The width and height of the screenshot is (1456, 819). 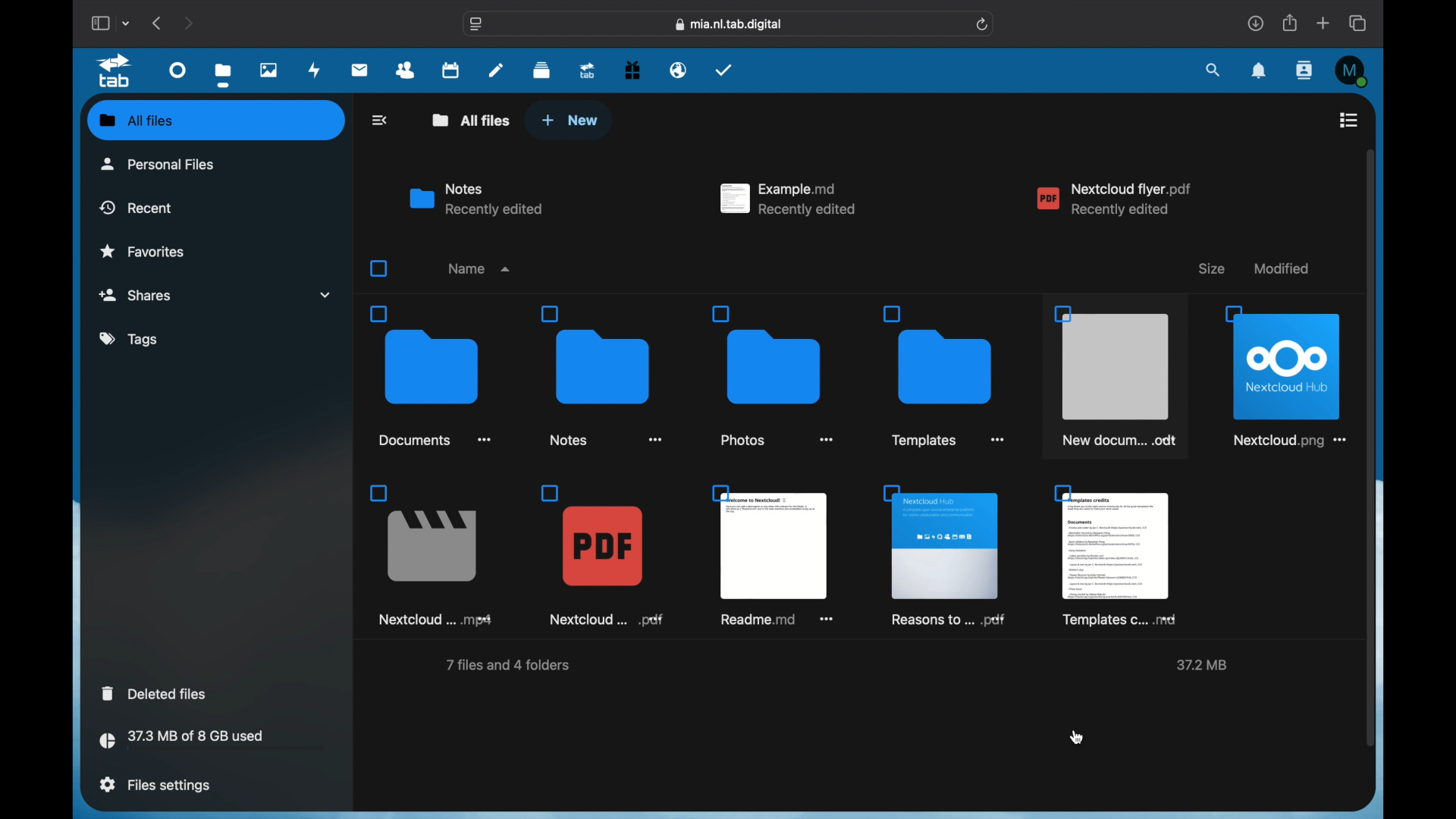 What do you see at coordinates (1323, 23) in the screenshot?
I see `new tab` at bounding box center [1323, 23].